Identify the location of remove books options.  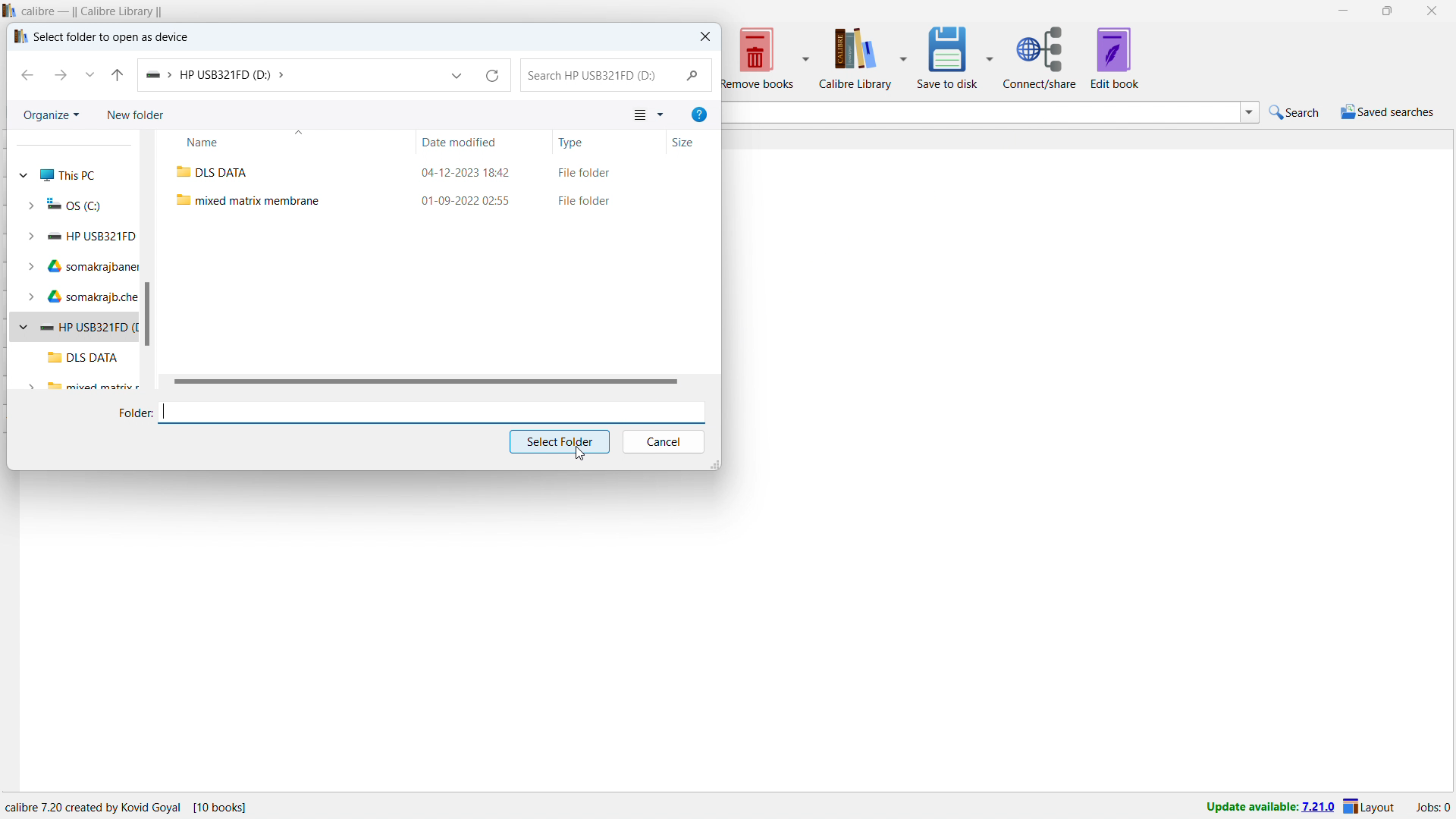
(806, 58).